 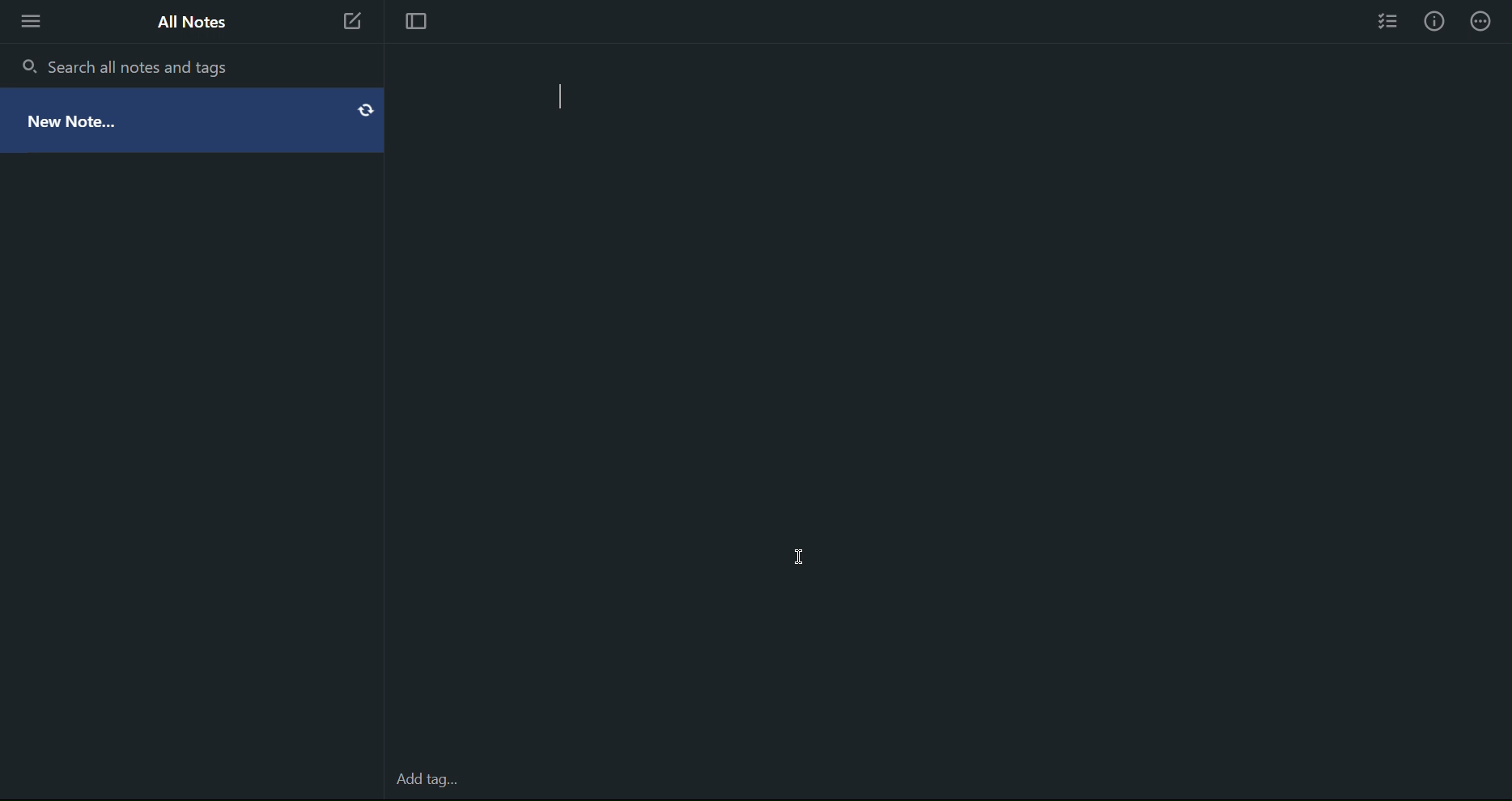 I want to click on More, so click(x=30, y=21).